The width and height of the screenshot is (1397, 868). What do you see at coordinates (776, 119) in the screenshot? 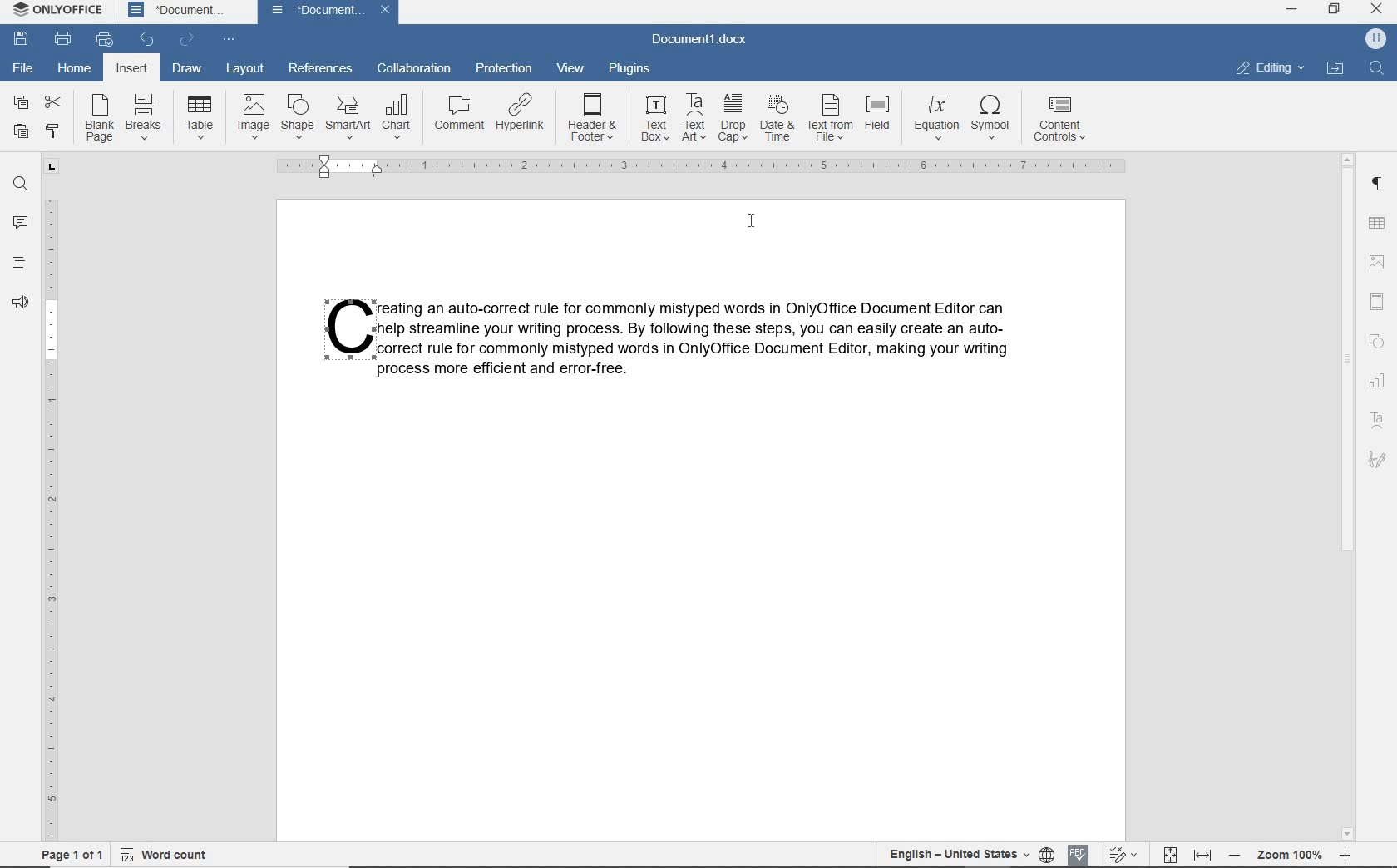
I see `date & time` at bounding box center [776, 119].